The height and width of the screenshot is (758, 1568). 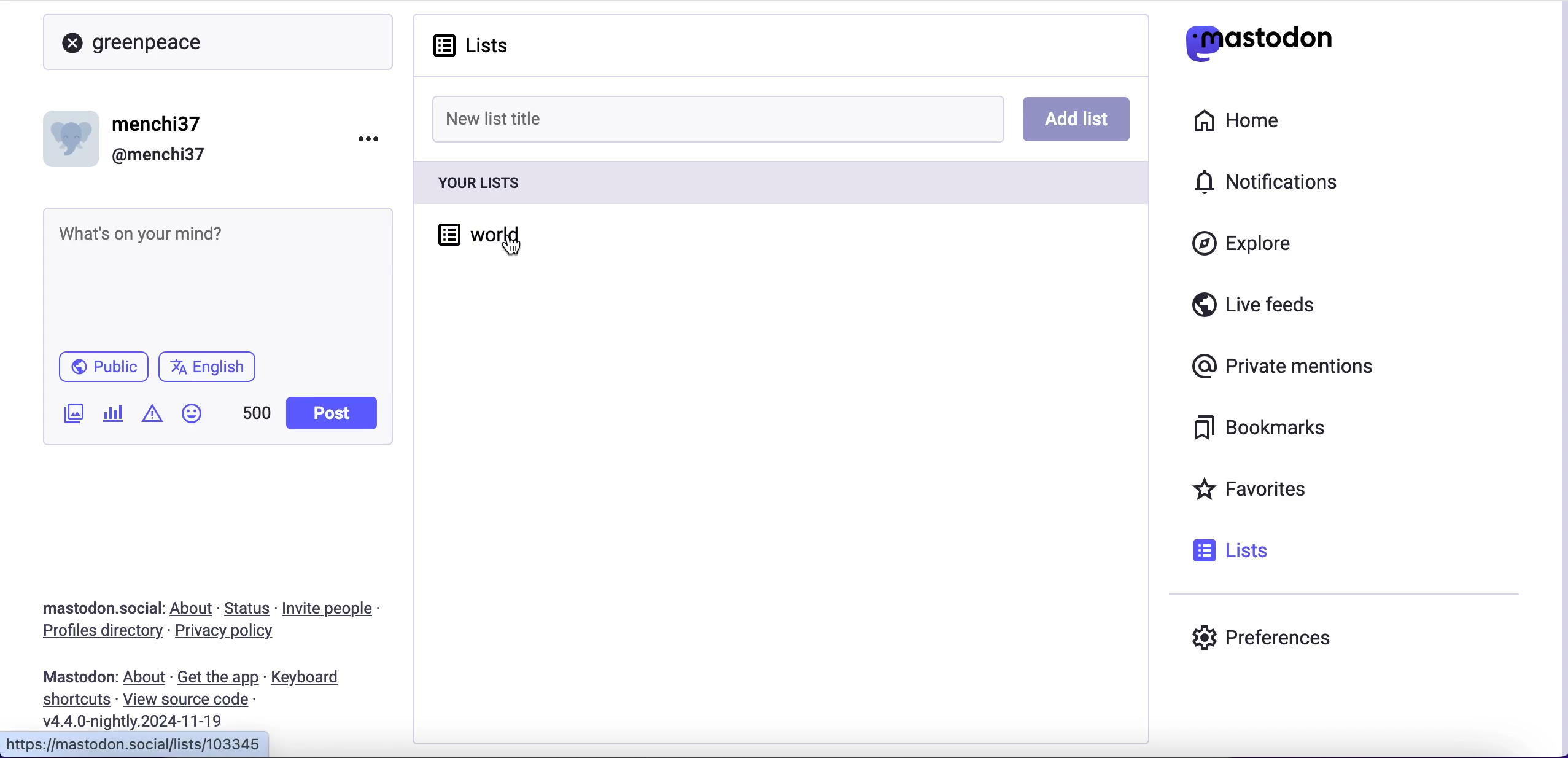 What do you see at coordinates (1259, 40) in the screenshot?
I see `mastodon logo` at bounding box center [1259, 40].